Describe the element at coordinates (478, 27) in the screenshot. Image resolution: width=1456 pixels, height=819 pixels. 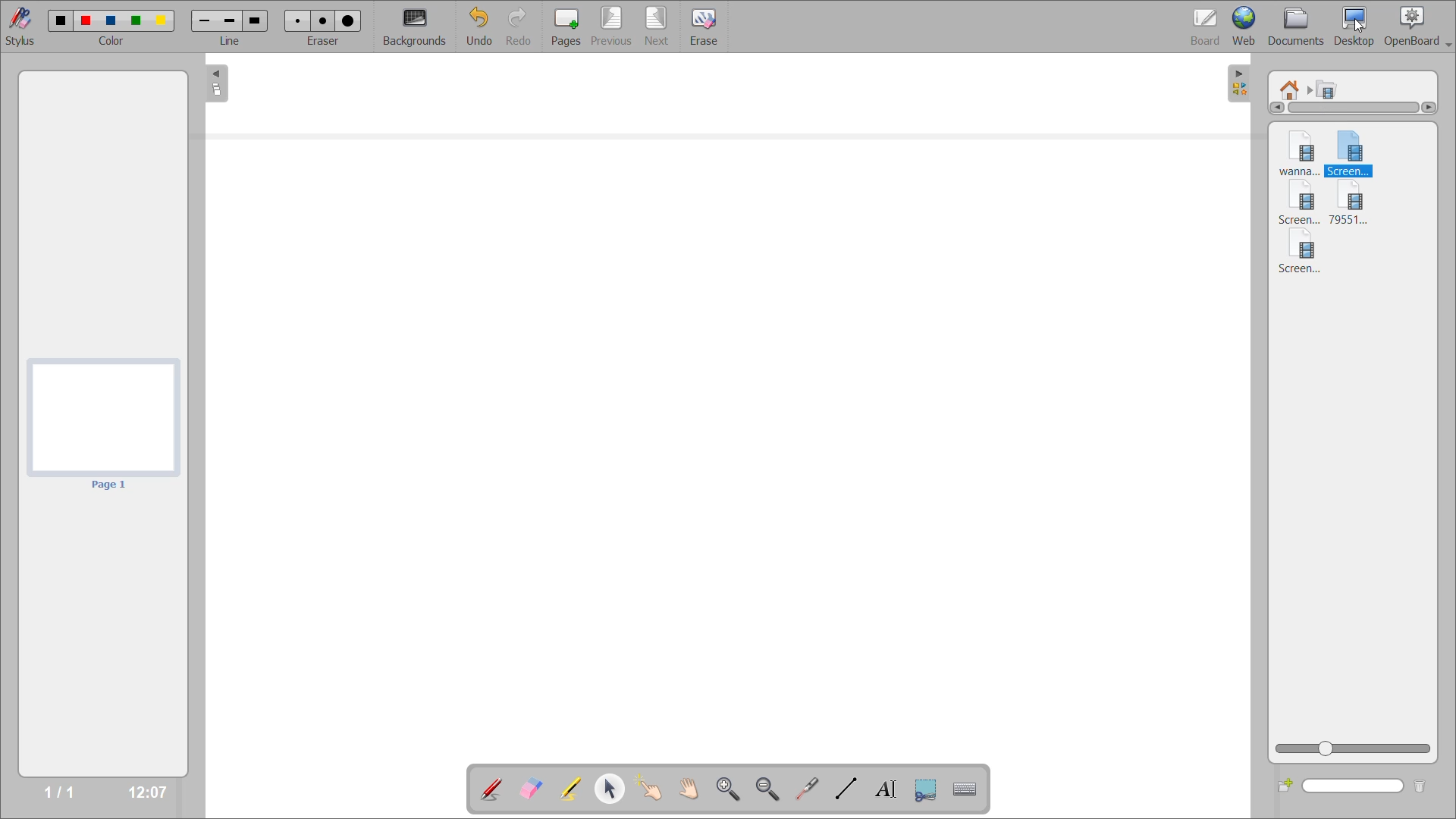
I see `undo` at that location.